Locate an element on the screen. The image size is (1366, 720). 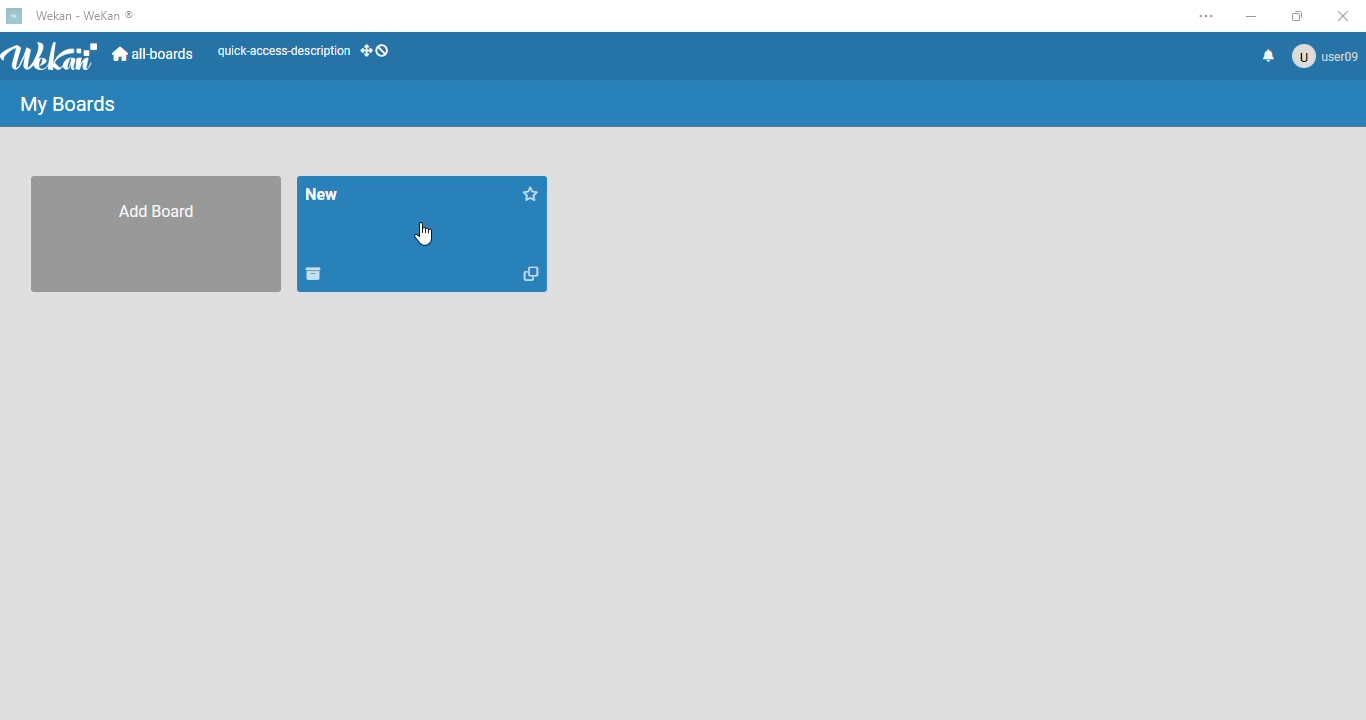
show-desktop-drag-handles is located at coordinates (377, 51).